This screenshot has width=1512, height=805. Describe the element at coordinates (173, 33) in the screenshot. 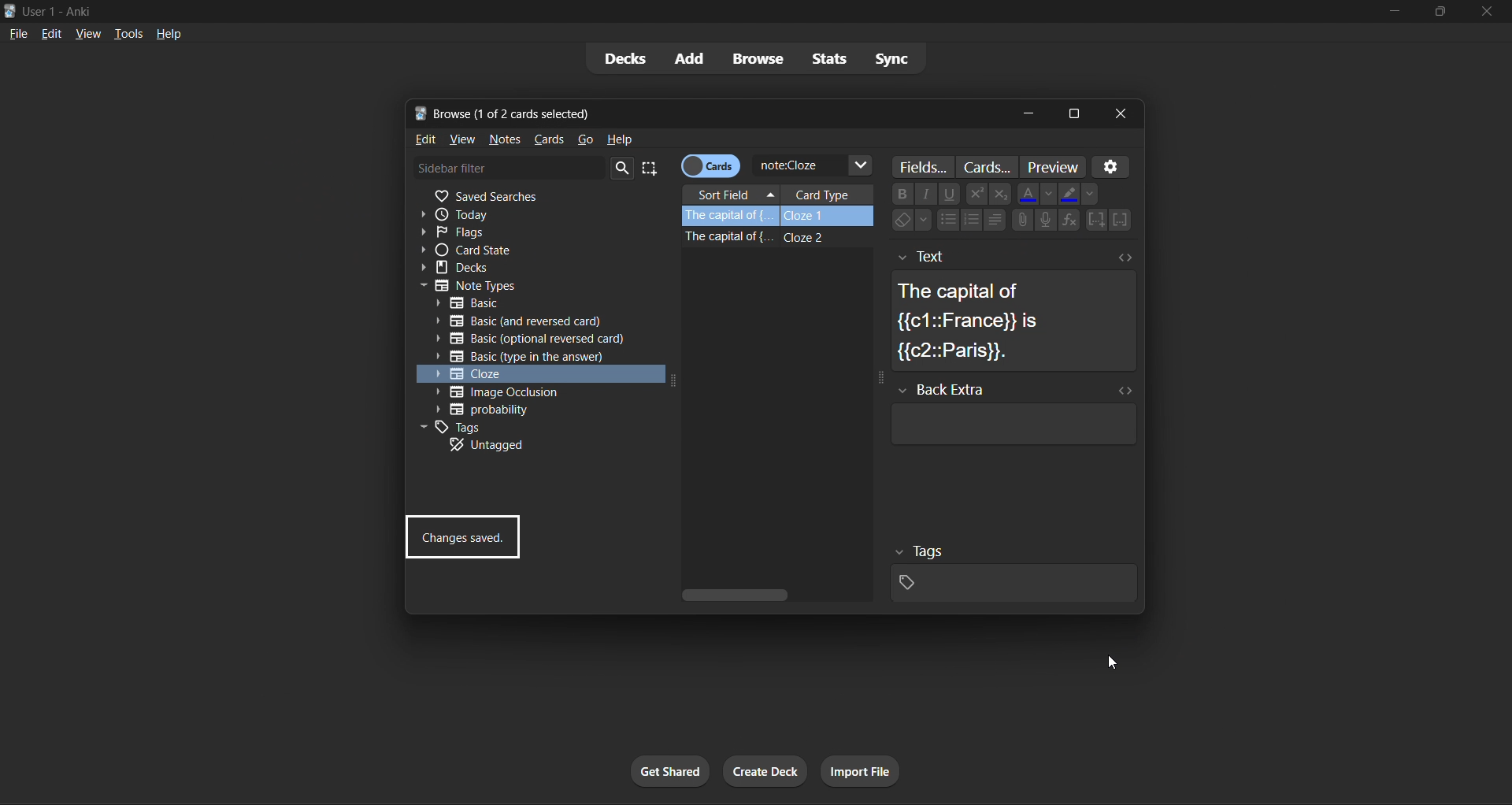

I see `help` at that location.